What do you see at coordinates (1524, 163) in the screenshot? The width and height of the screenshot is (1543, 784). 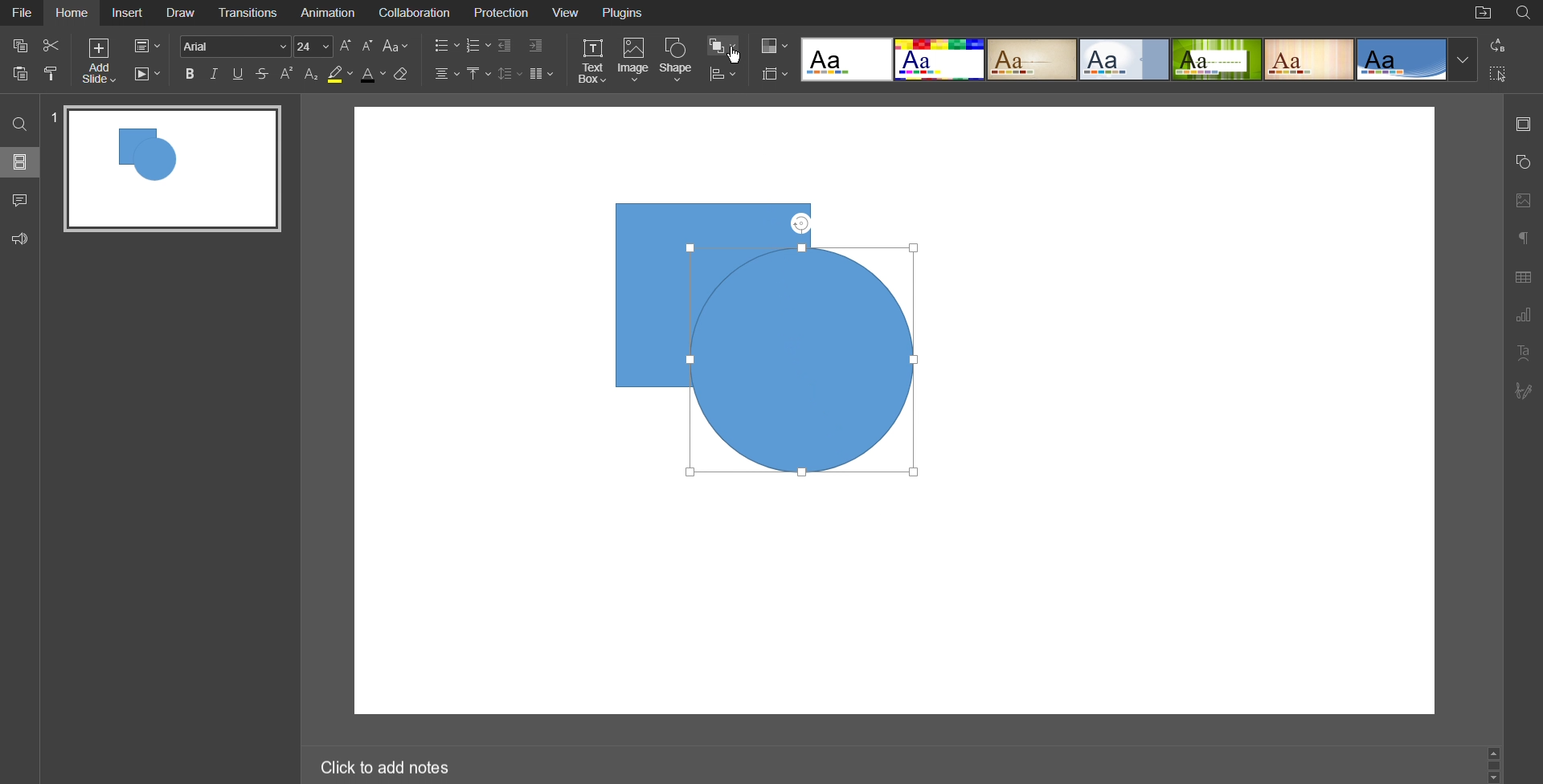 I see `Shape Settings` at bounding box center [1524, 163].